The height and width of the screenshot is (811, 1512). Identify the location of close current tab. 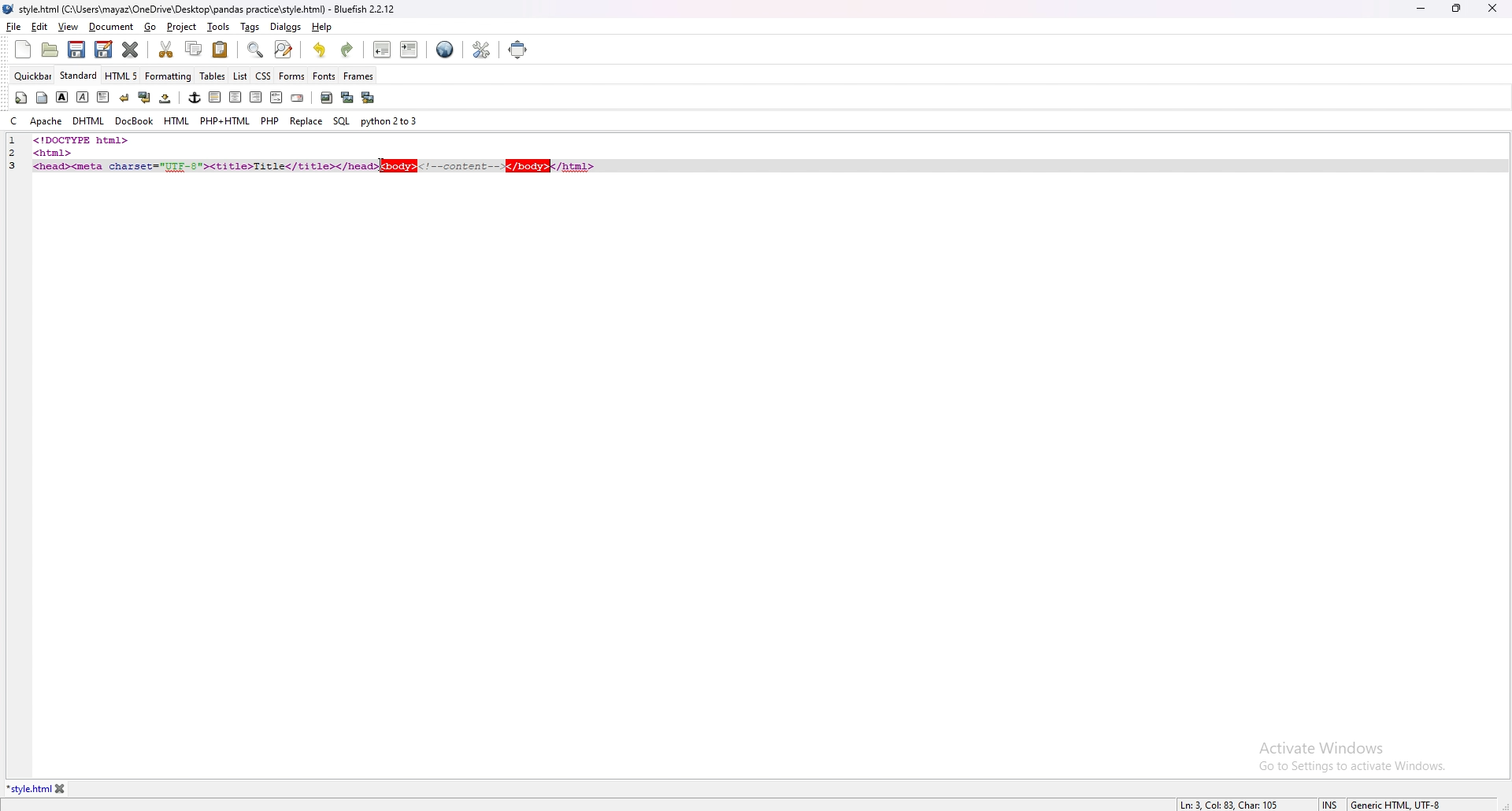
(132, 50).